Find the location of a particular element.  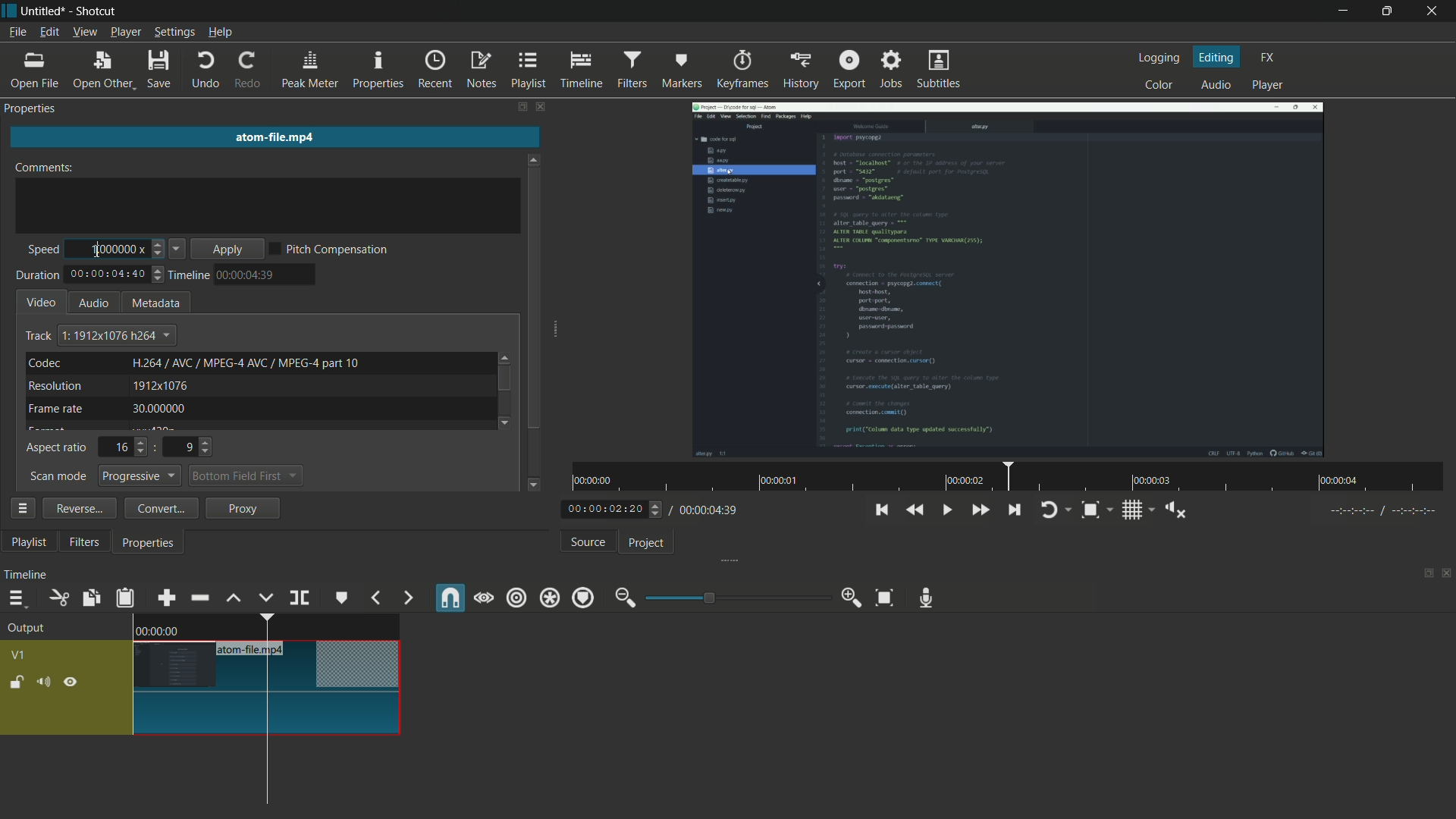

30 is located at coordinates (157, 408).